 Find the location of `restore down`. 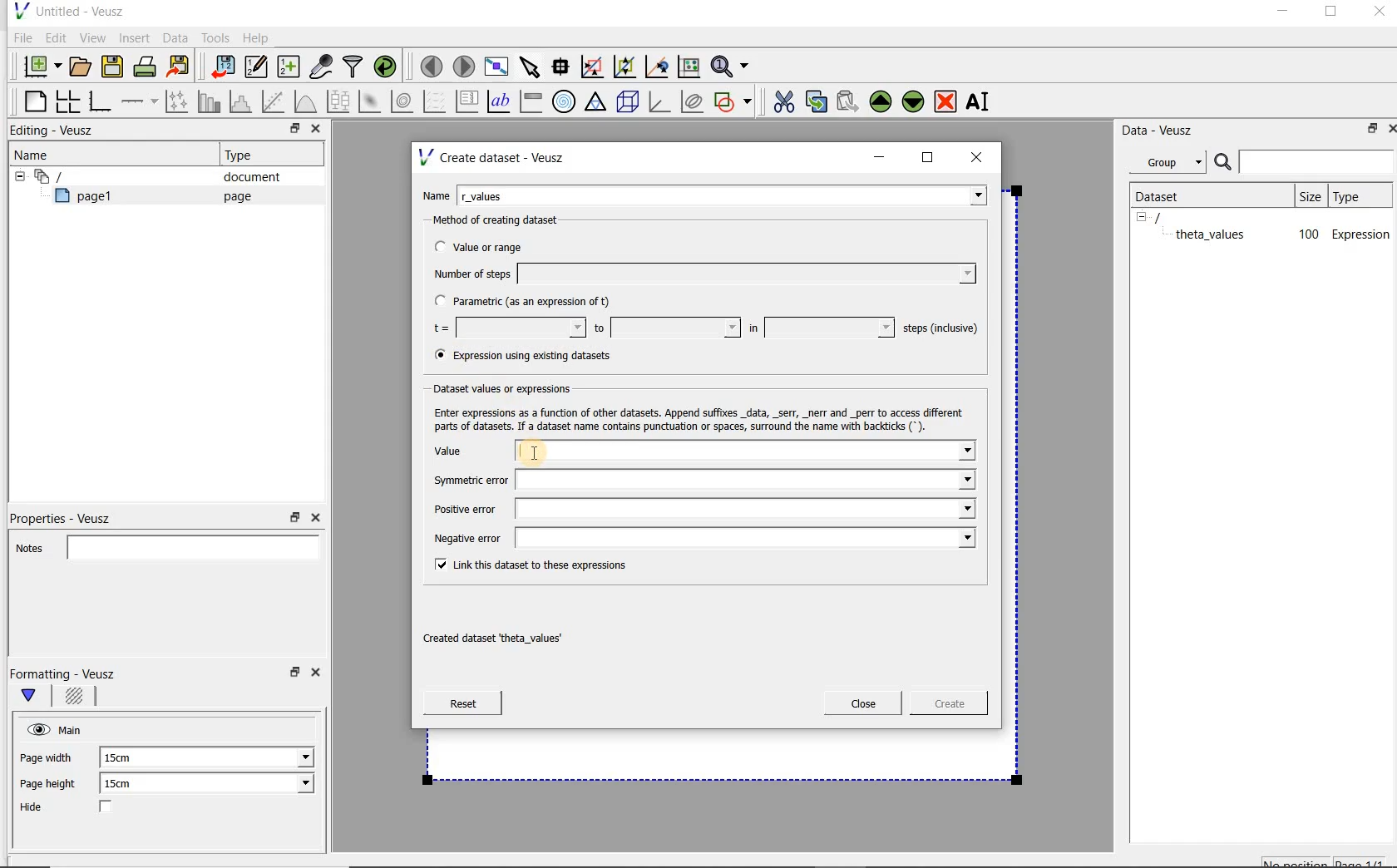

restore down is located at coordinates (293, 677).